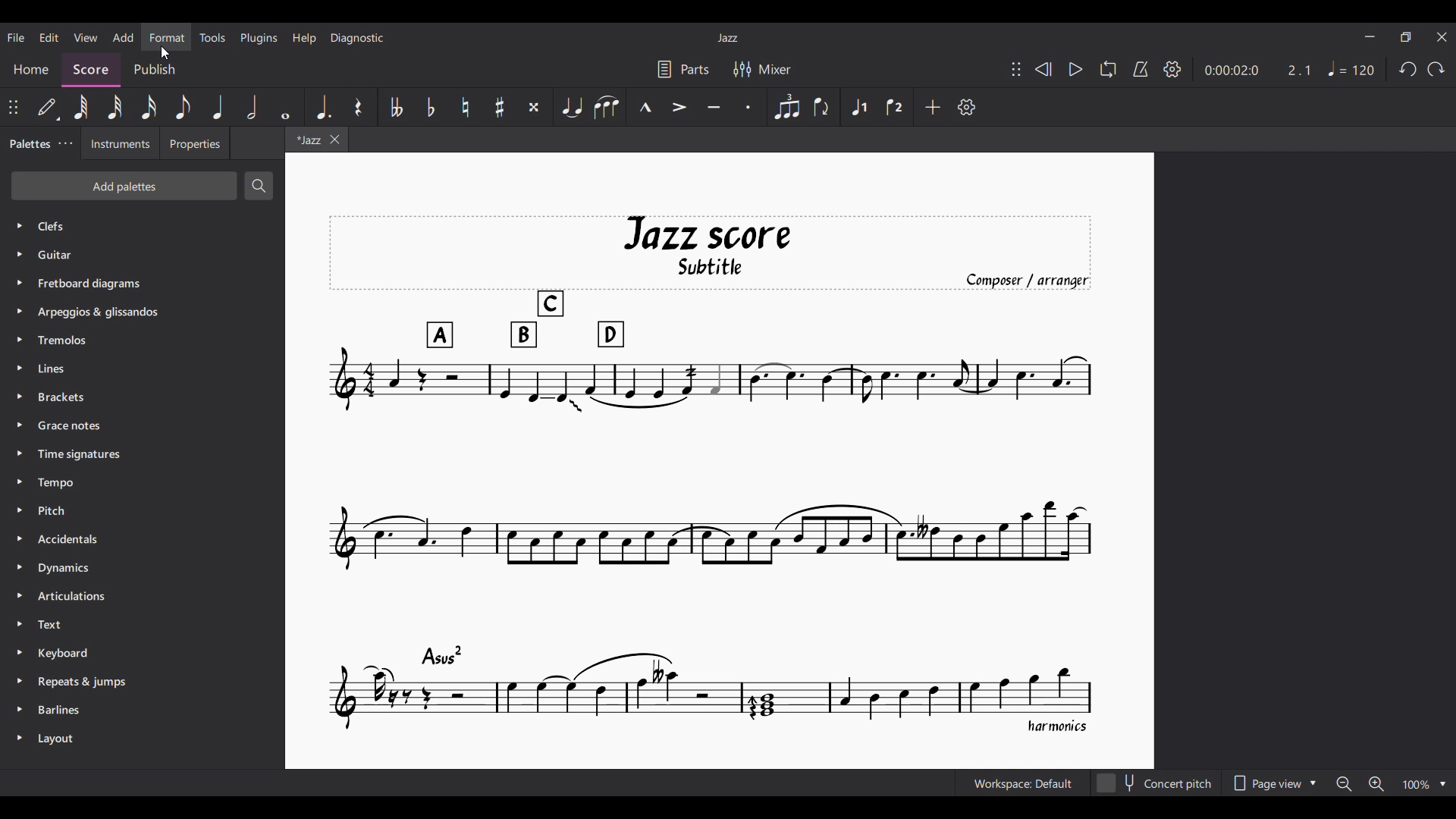 The image size is (1456, 819). Describe the element at coordinates (788, 107) in the screenshot. I see `Tuplet` at that location.